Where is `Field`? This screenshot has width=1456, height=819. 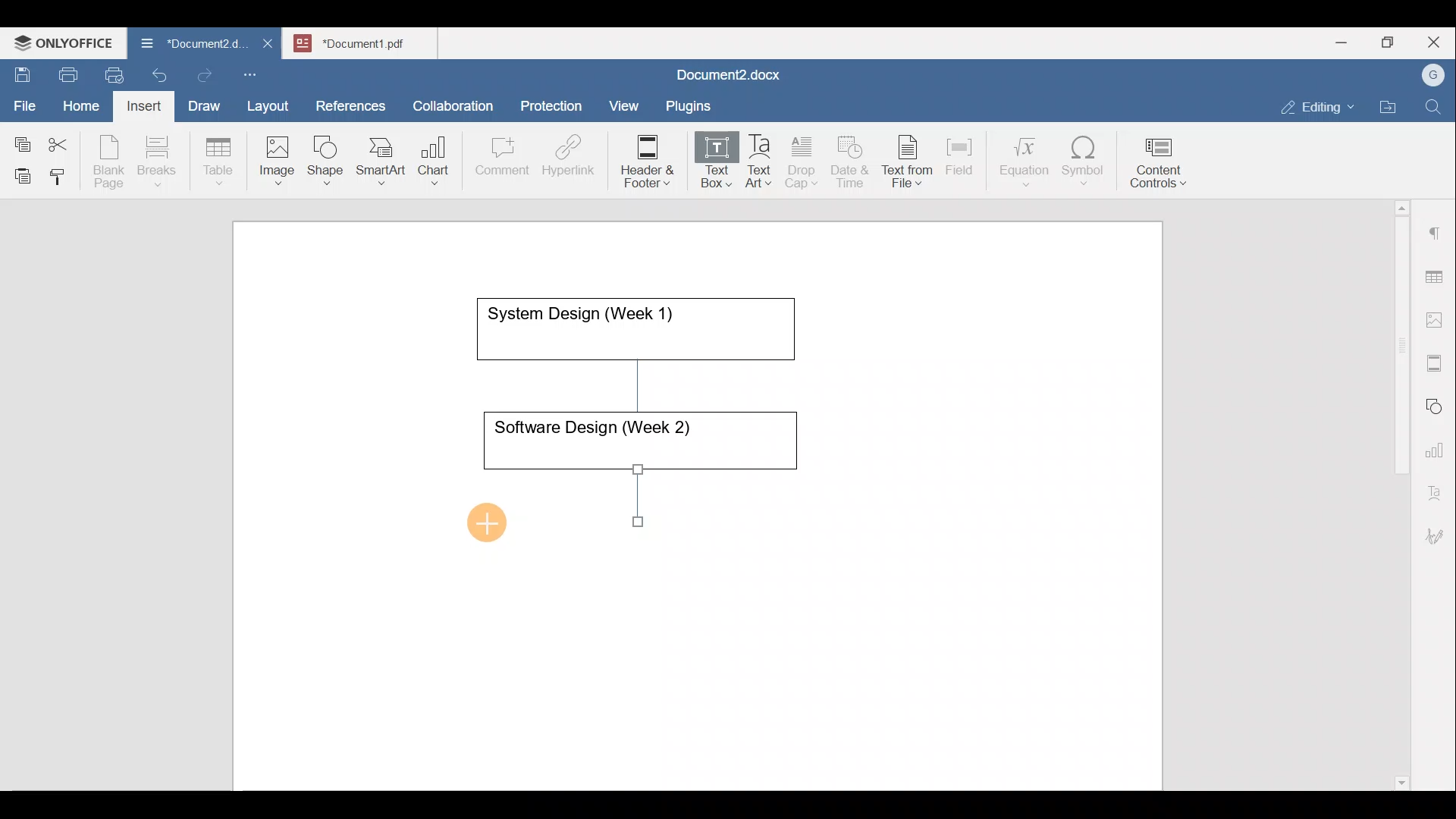
Field is located at coordinates (959, 154).